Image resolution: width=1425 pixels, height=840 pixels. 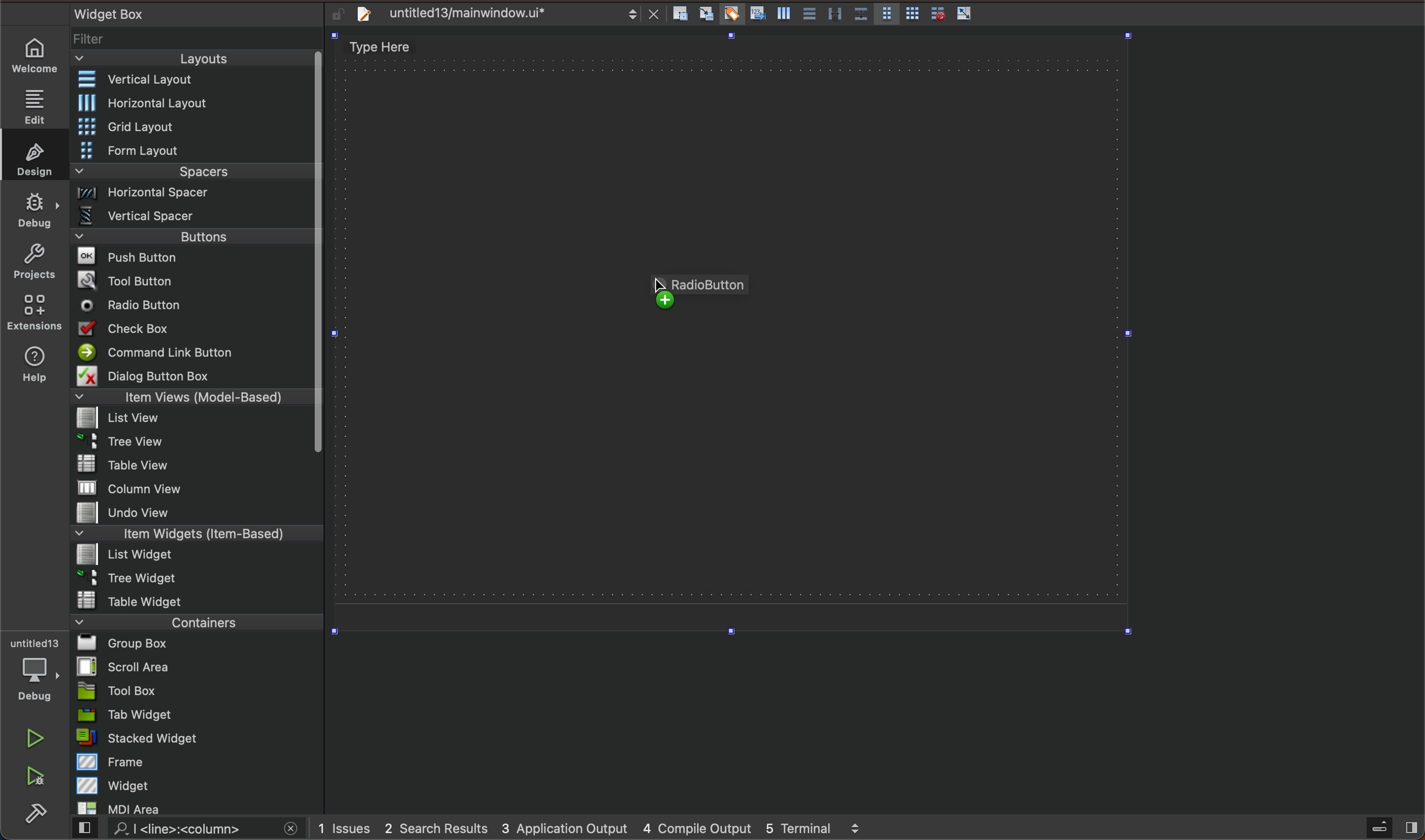 What do you see at coordinates (36, 209) in the screenshot?
I see `debug` at bounding box center [36, 209].